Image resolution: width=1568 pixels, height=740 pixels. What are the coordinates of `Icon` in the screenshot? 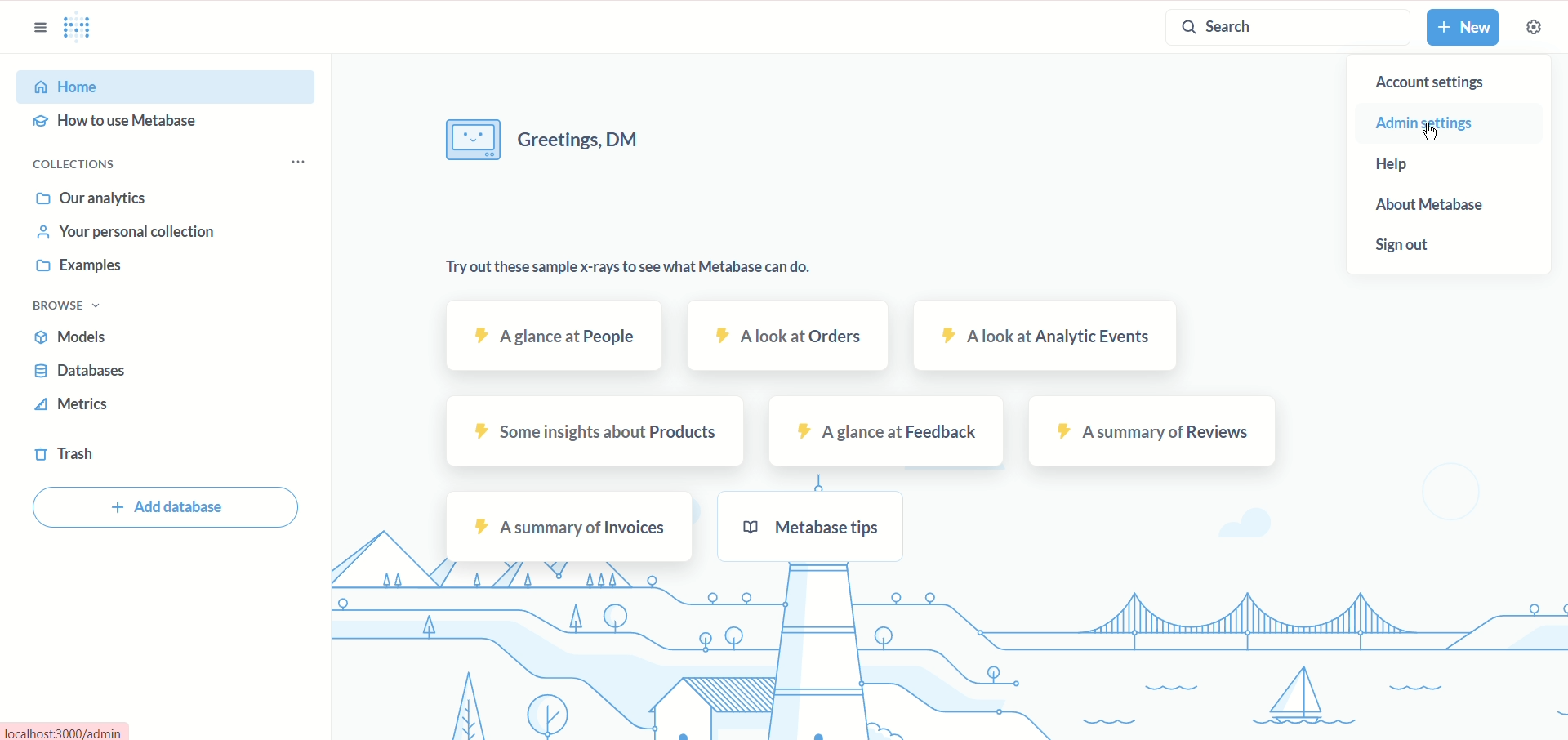 It's located at (471, 140).